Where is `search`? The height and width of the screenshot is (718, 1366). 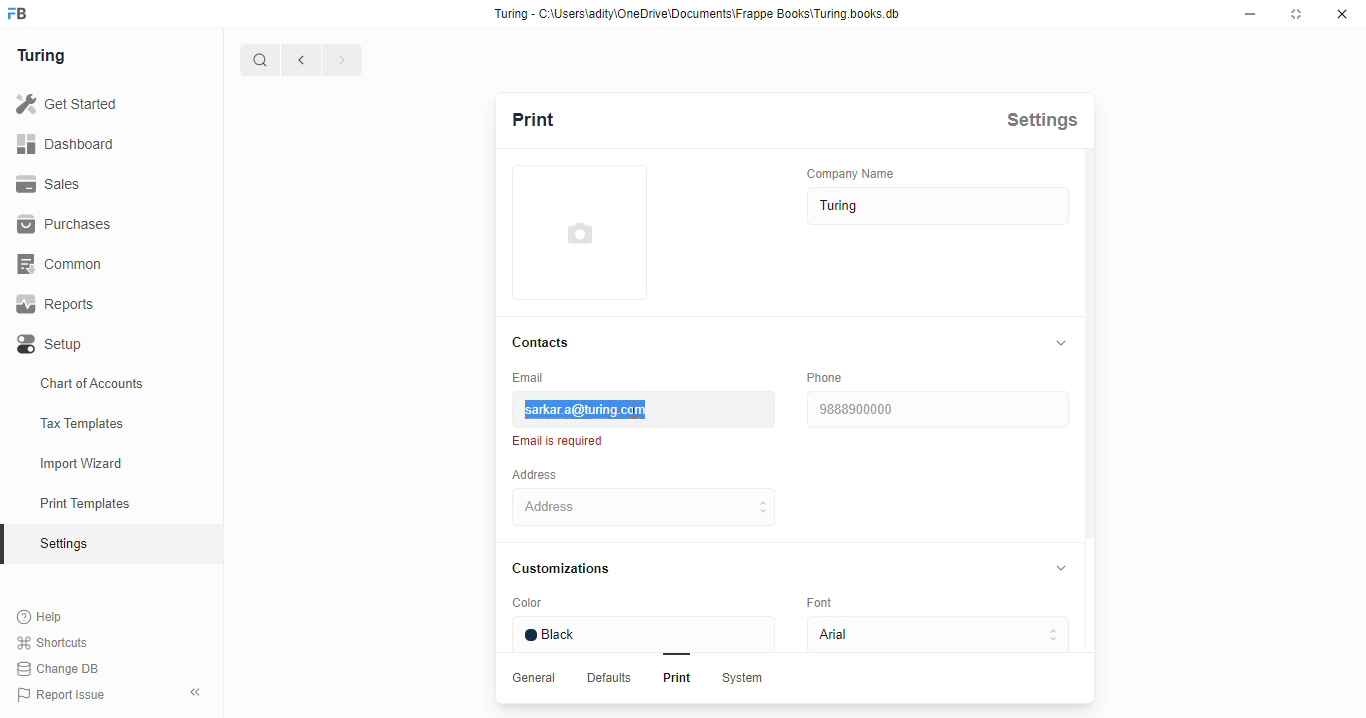
search is located at coordinates (261, 60).